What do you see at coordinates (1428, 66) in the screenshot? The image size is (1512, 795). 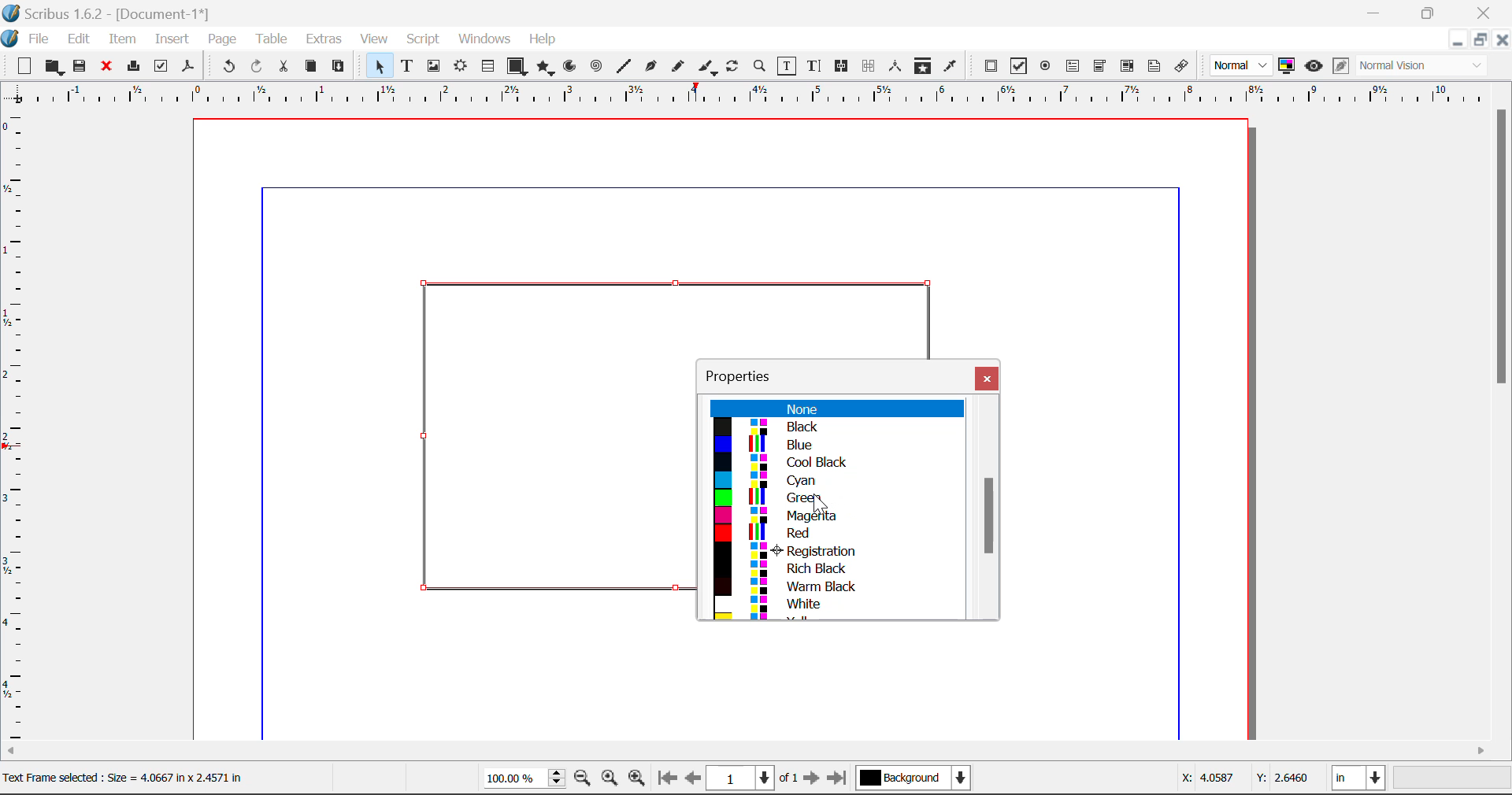 I see `Display Visual Appearance` at bounding box center [1428, 66].